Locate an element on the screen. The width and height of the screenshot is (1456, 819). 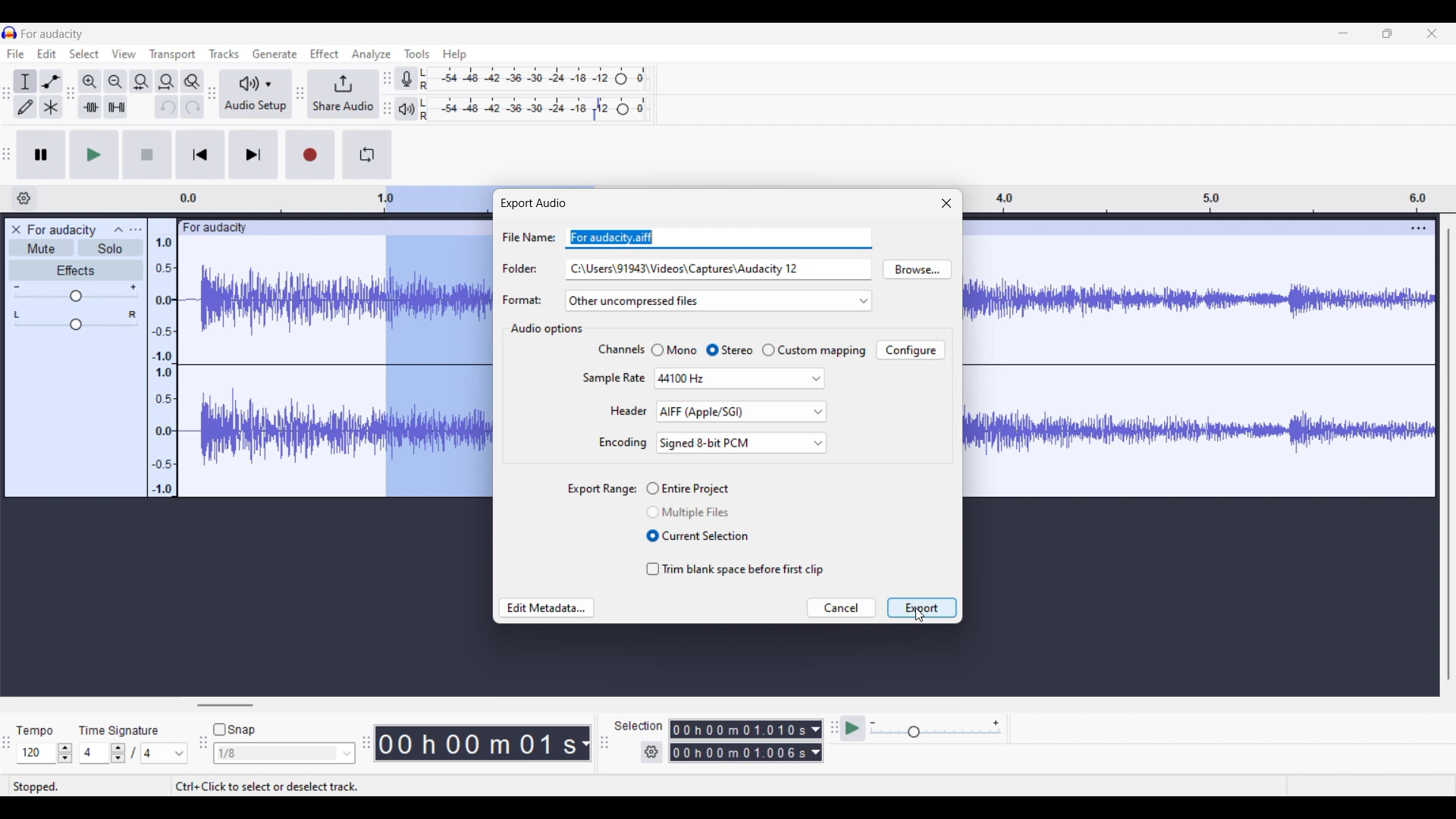
Multi-tool is located at coordinates (50, 107).